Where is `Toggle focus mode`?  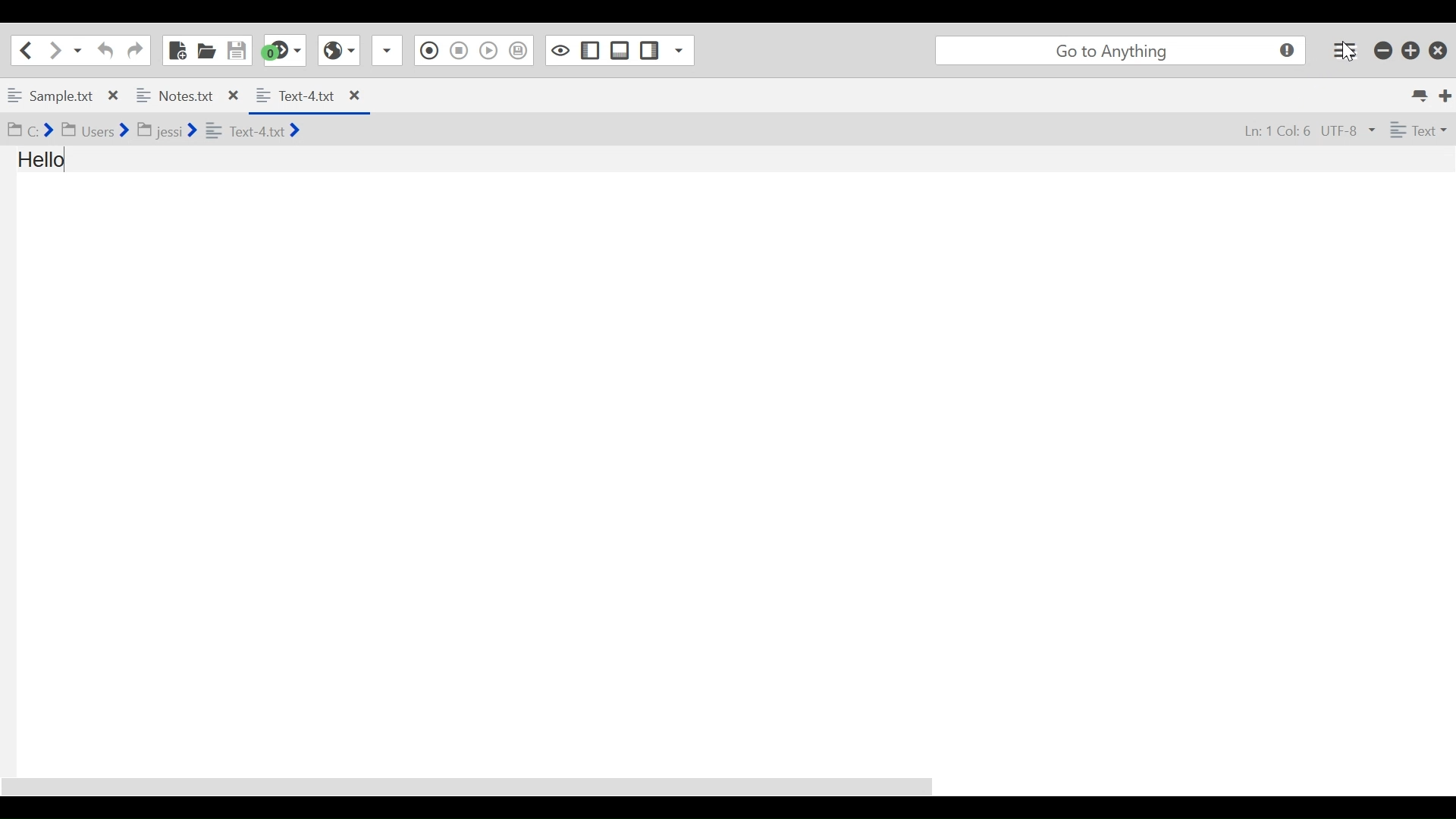
Toggle focus mode is located at coordinates (560, 51).